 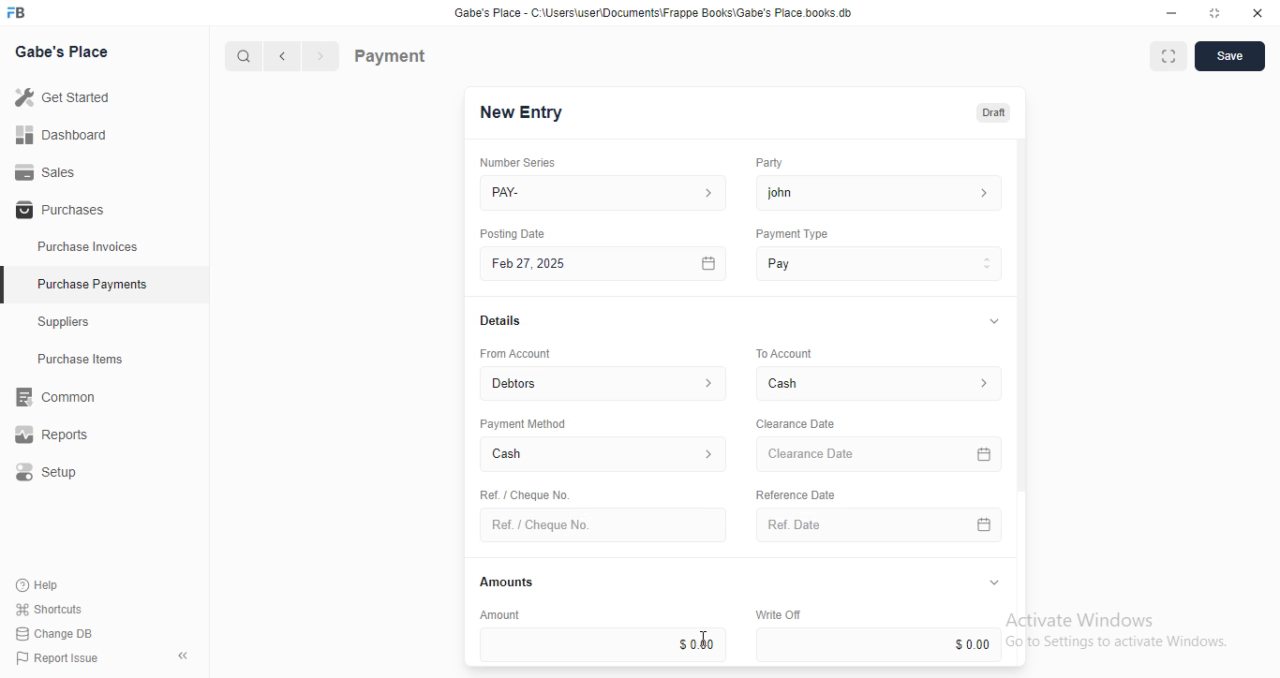 I want to click on Ret. / Cheque No., so click(x=522, y=493).